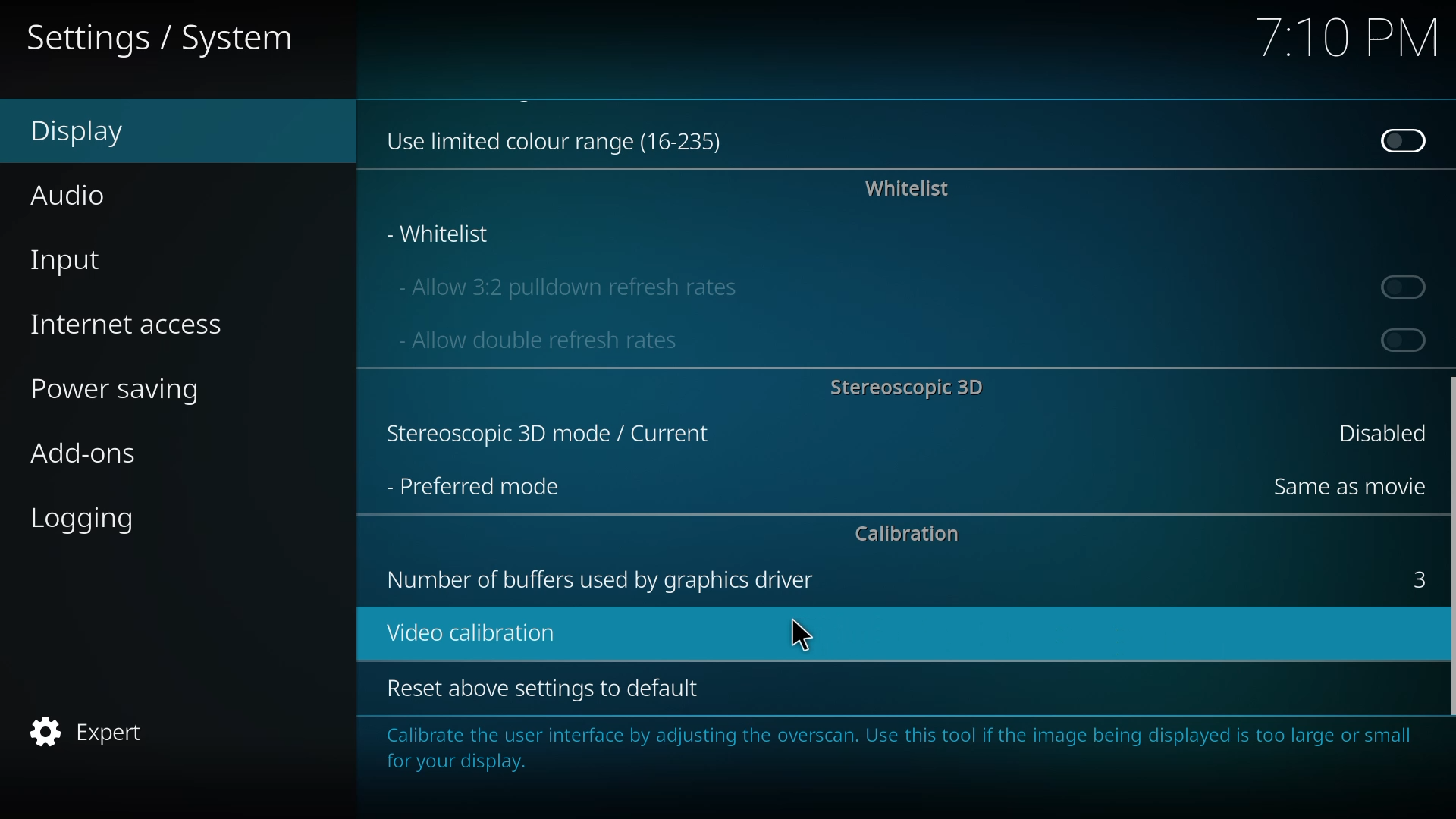 Image resolution: width=1456 pixels, height=819 pixels. Describe the element at coordinates (98, 456) in the screenshot. I see `add-ons` at that location.